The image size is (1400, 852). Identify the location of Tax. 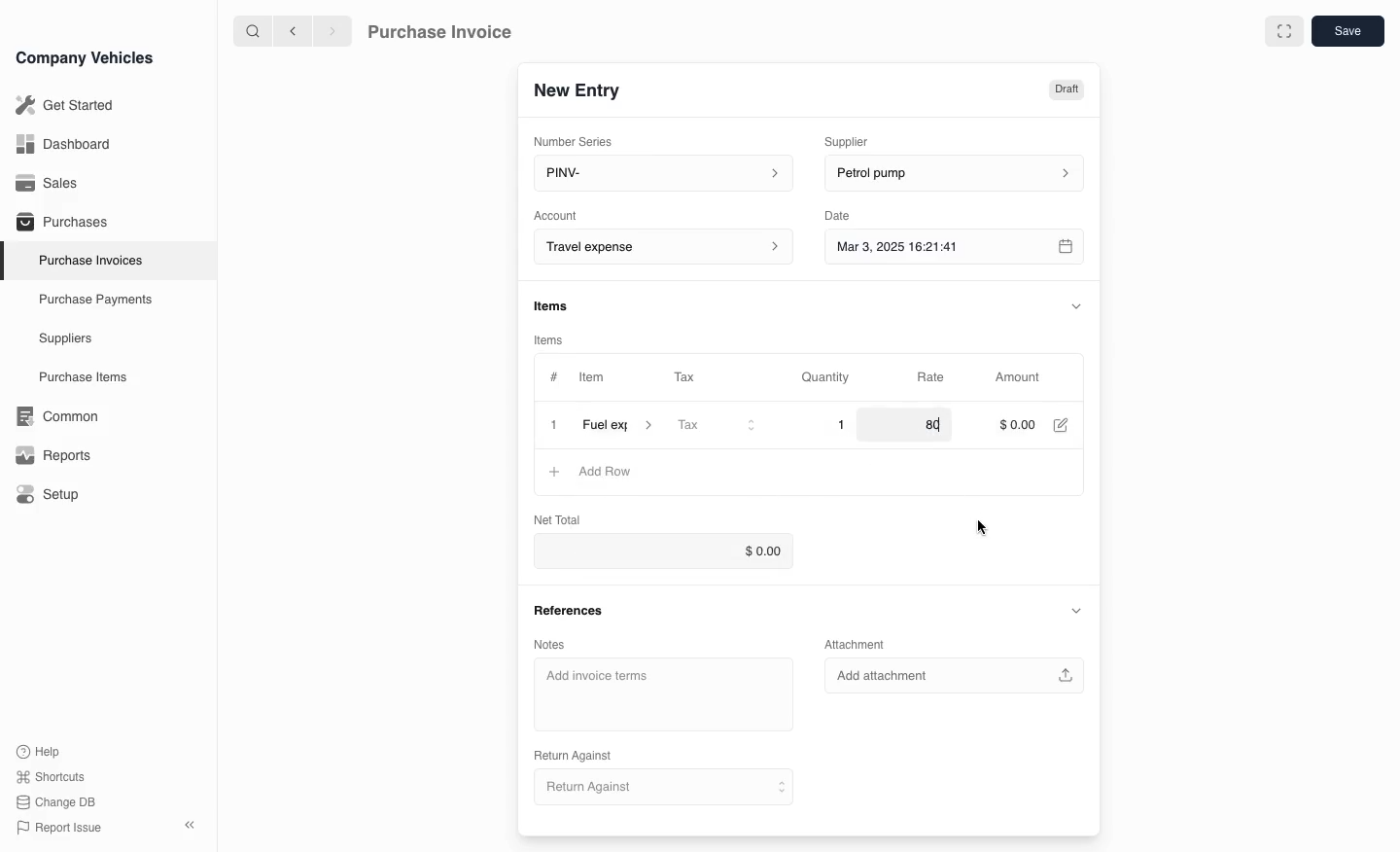
(693, 378).